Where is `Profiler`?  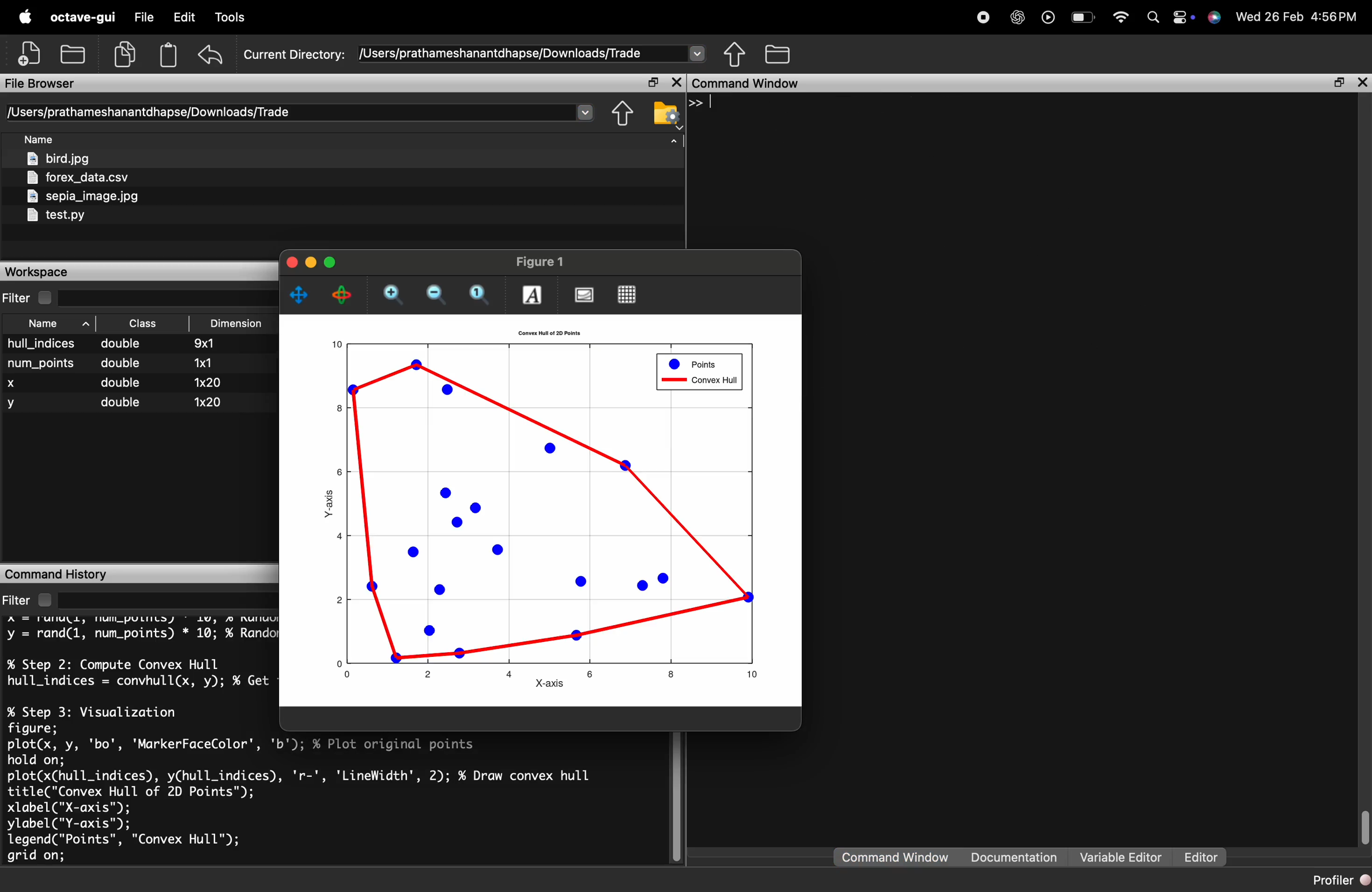
Profiler is located at coordinates (1340, 880).